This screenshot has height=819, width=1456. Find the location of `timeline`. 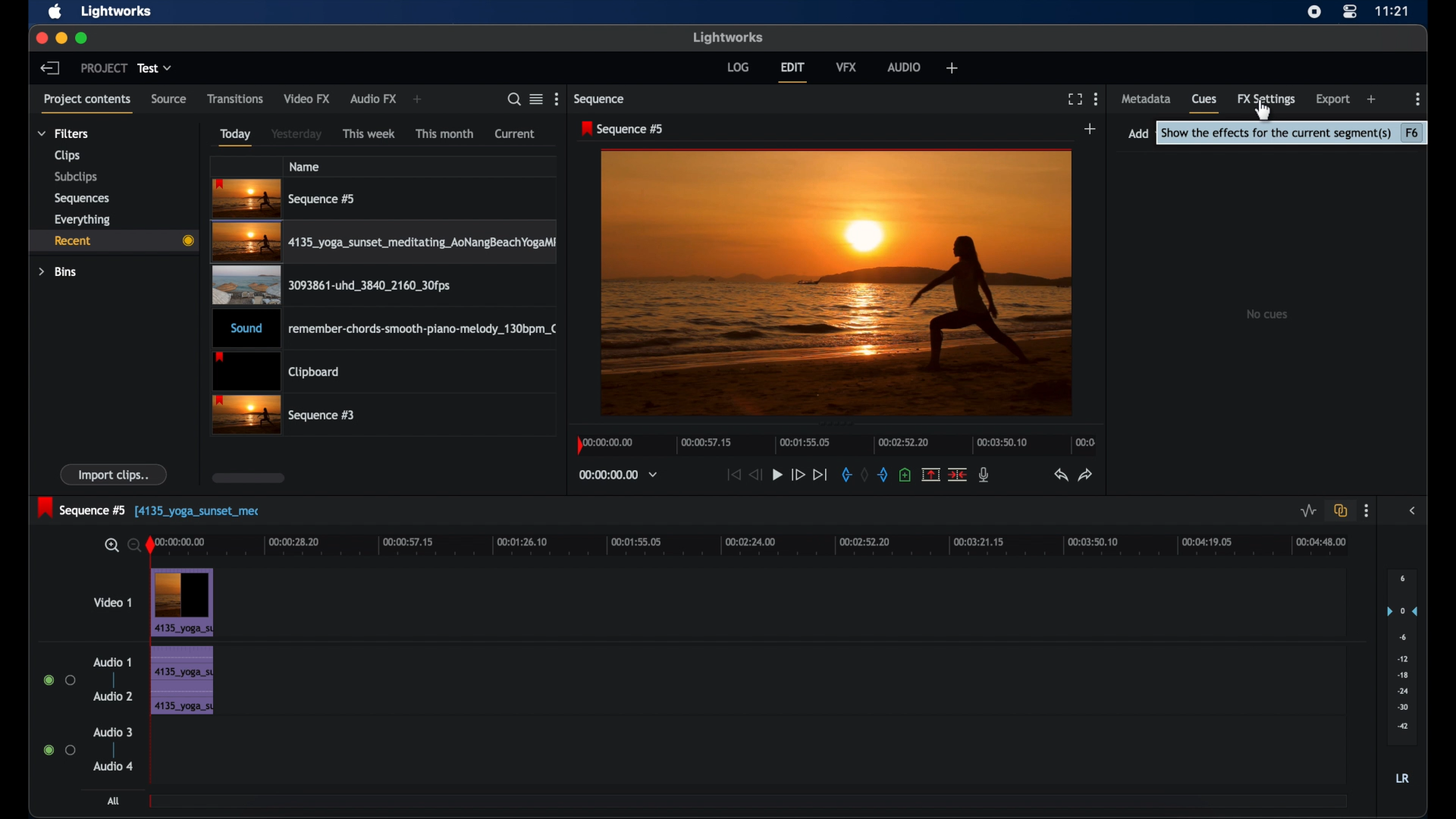

timeline is located at coordinates (837, 444).